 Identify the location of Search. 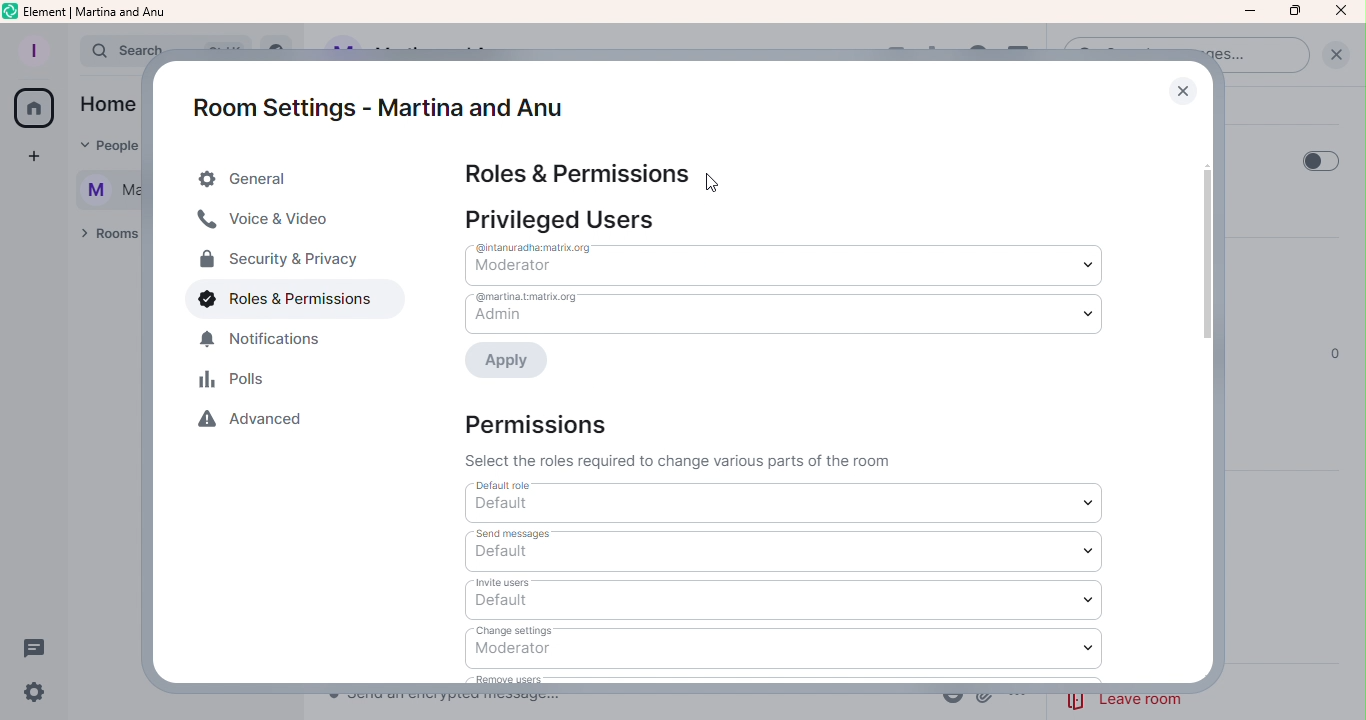
(108, 51).